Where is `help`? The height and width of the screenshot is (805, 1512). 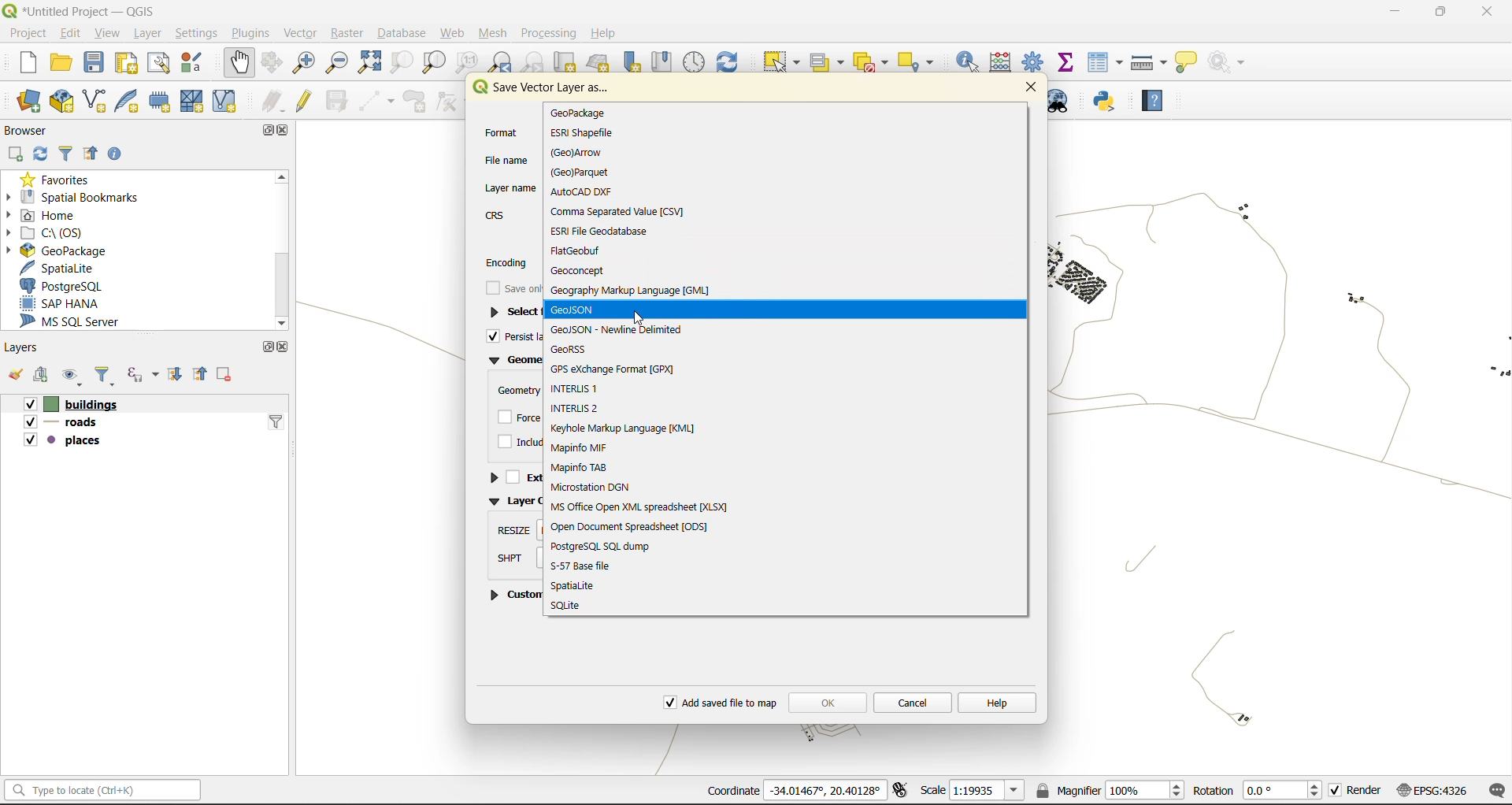 help is located at coordinates (603, 32).